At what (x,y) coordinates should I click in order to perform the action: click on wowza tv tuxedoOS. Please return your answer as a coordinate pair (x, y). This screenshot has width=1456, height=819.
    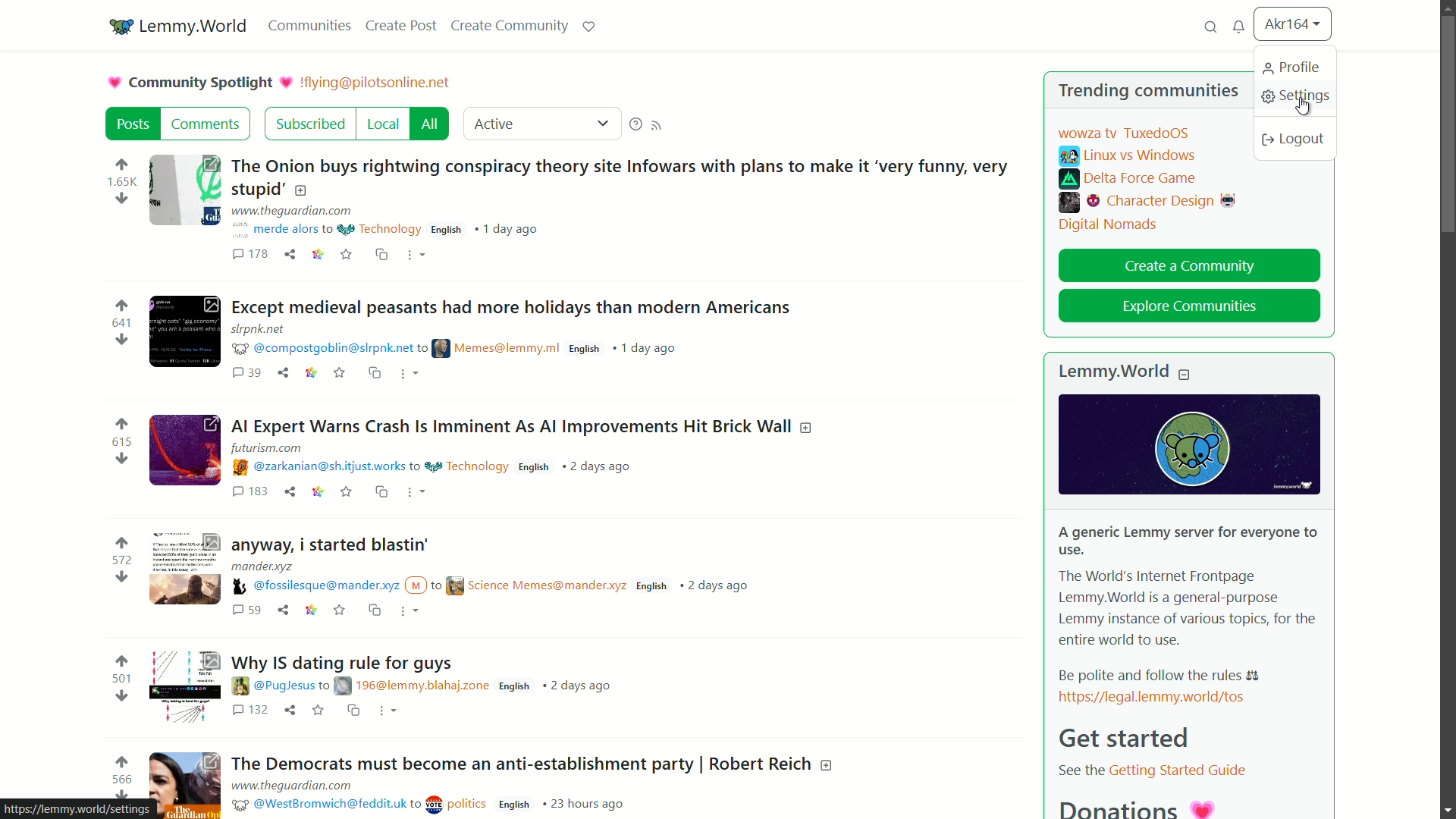
    Looking at the image, I should click on (1126, 133).